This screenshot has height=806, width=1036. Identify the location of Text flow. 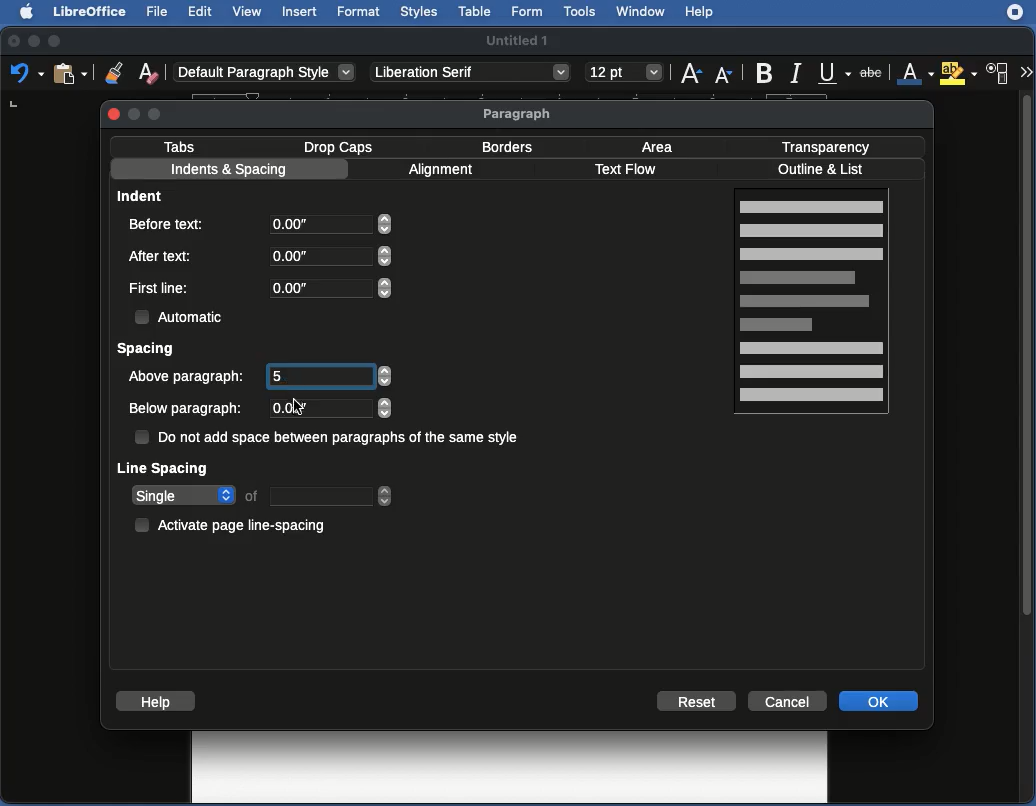
(625, 171).